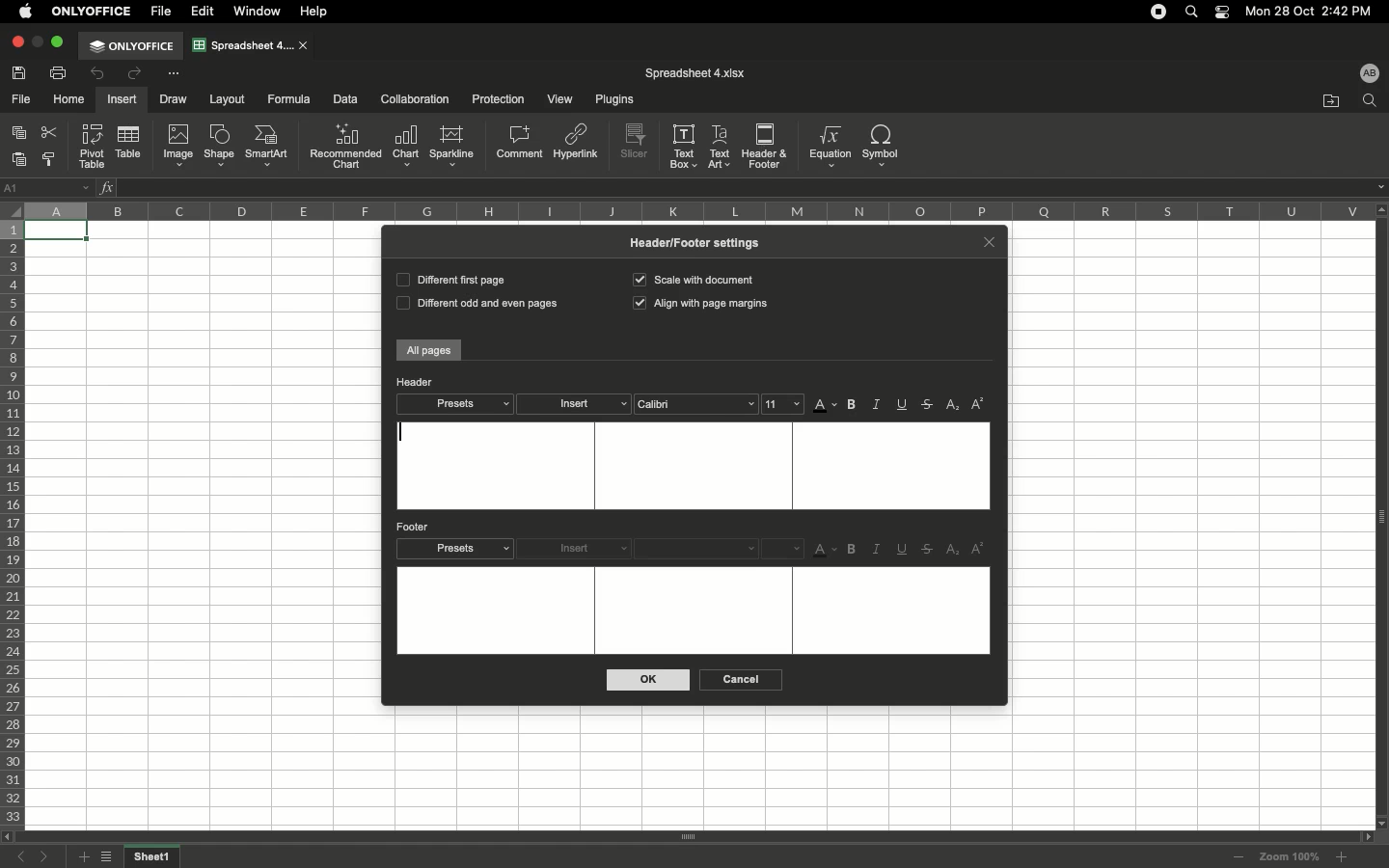 The height and width of the screenshot is (868, 1389). Describe the element at coordinates (1316, 11) in the screenshot. I see `Date/time` at that location.